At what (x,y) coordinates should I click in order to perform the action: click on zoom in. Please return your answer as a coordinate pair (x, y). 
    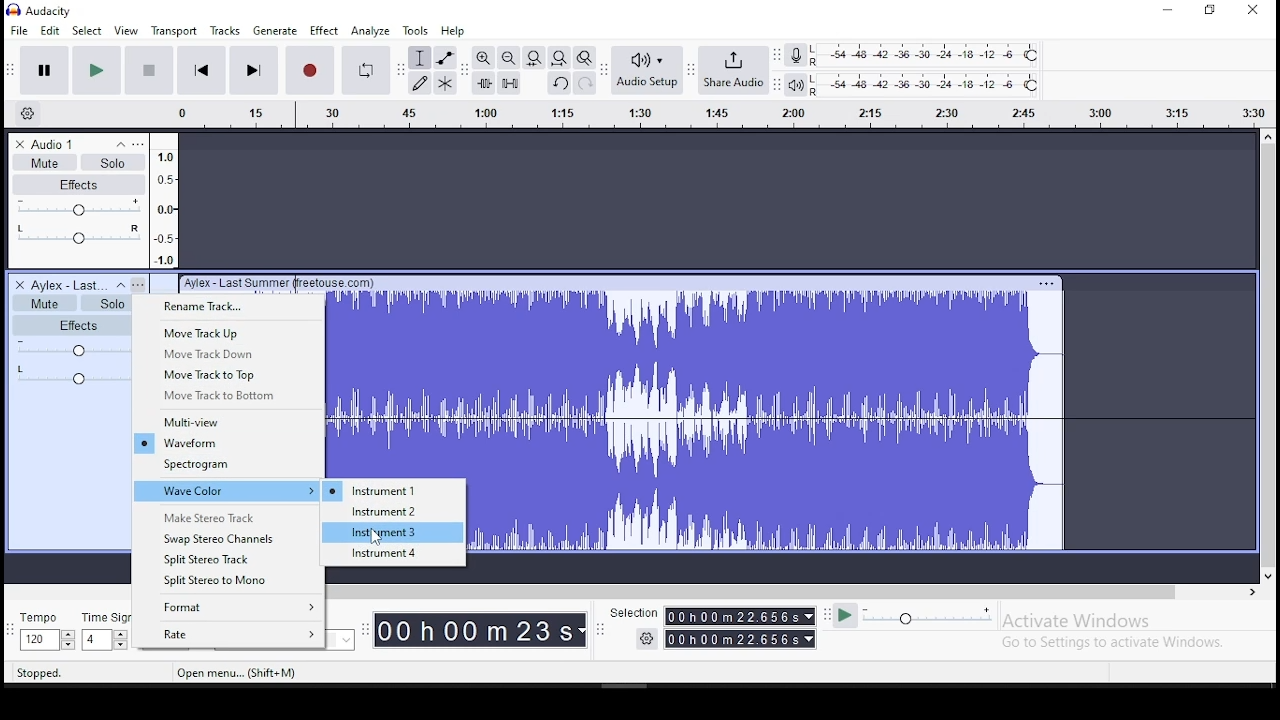
    Looking at the image, I should click on (482, 58).